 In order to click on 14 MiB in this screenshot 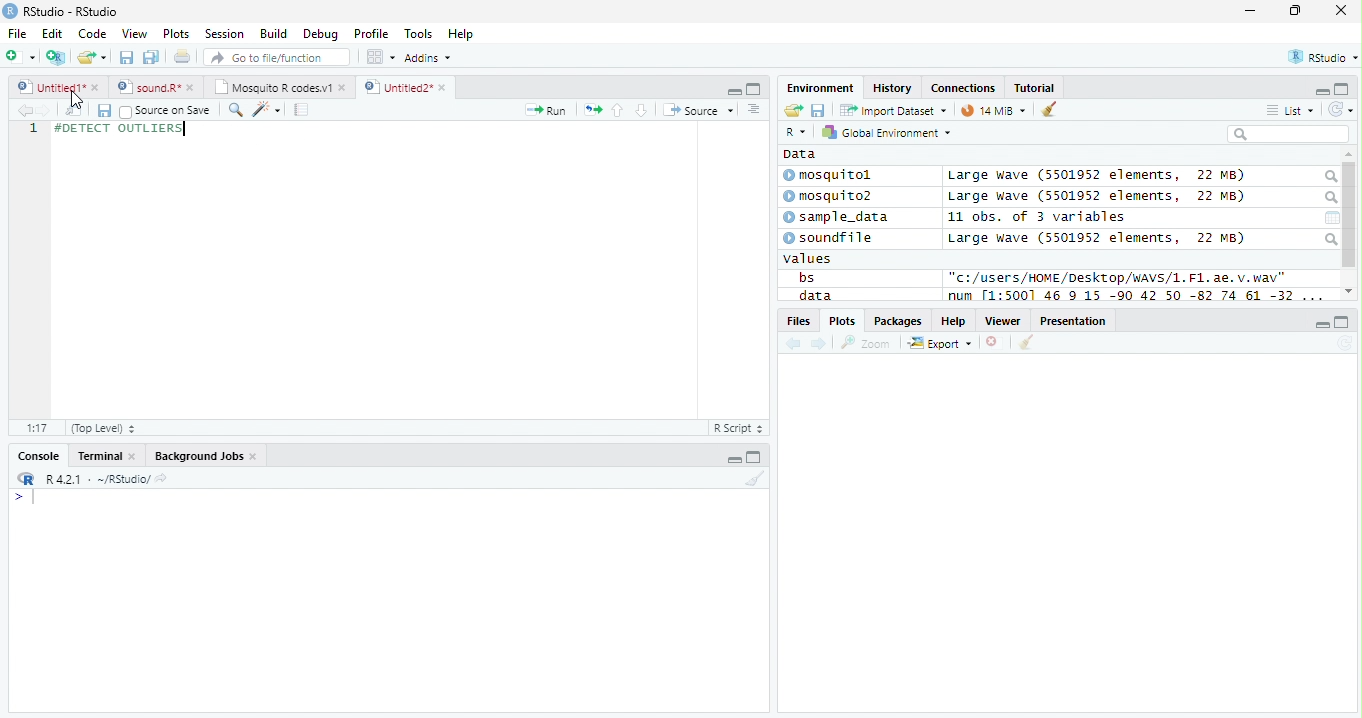, I will do `click(980, 110)`.